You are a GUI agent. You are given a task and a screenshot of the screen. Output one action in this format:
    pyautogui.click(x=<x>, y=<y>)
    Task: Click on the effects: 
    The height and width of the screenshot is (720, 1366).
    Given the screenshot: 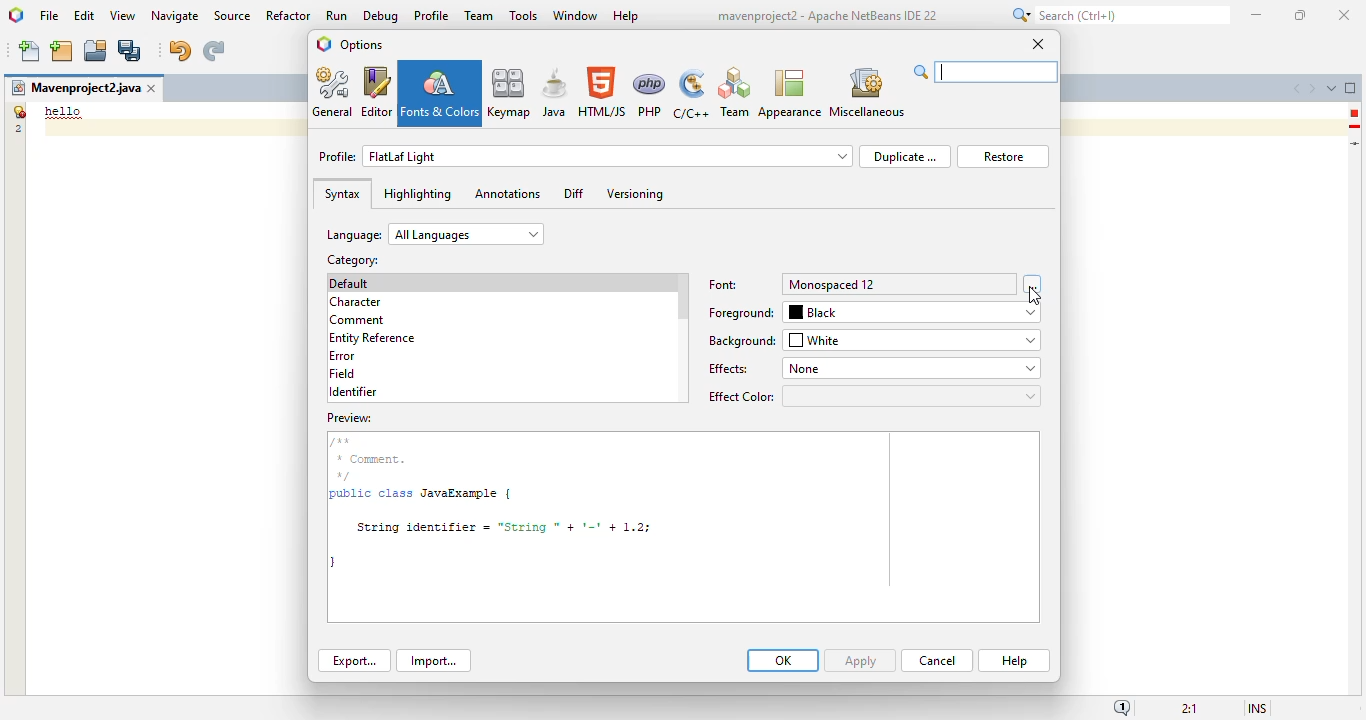 What is the action you would take?
    pyautogui.click(x=730, y=369)
    